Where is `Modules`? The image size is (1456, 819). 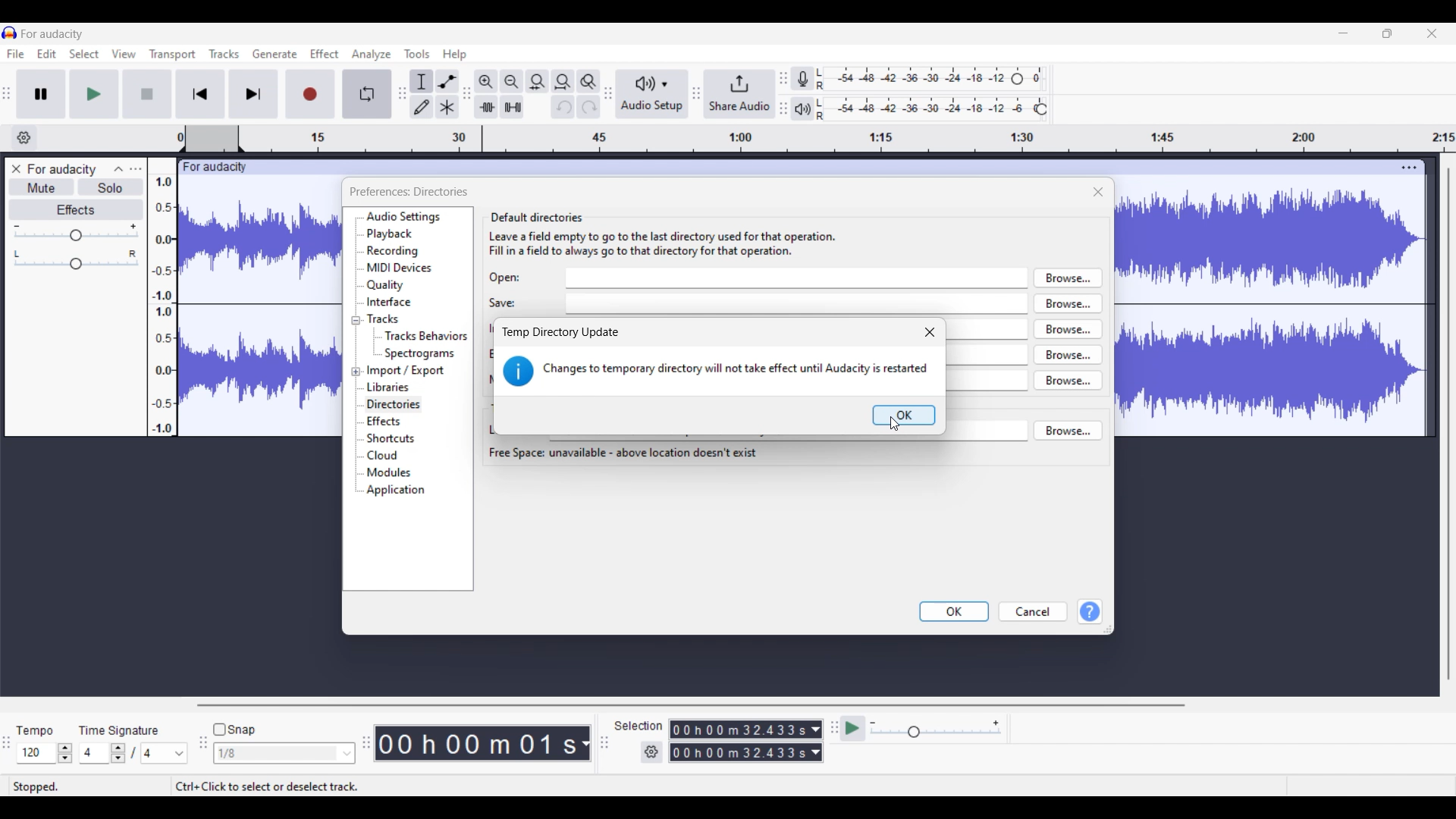
Modules is located at coordinates (389, 472).